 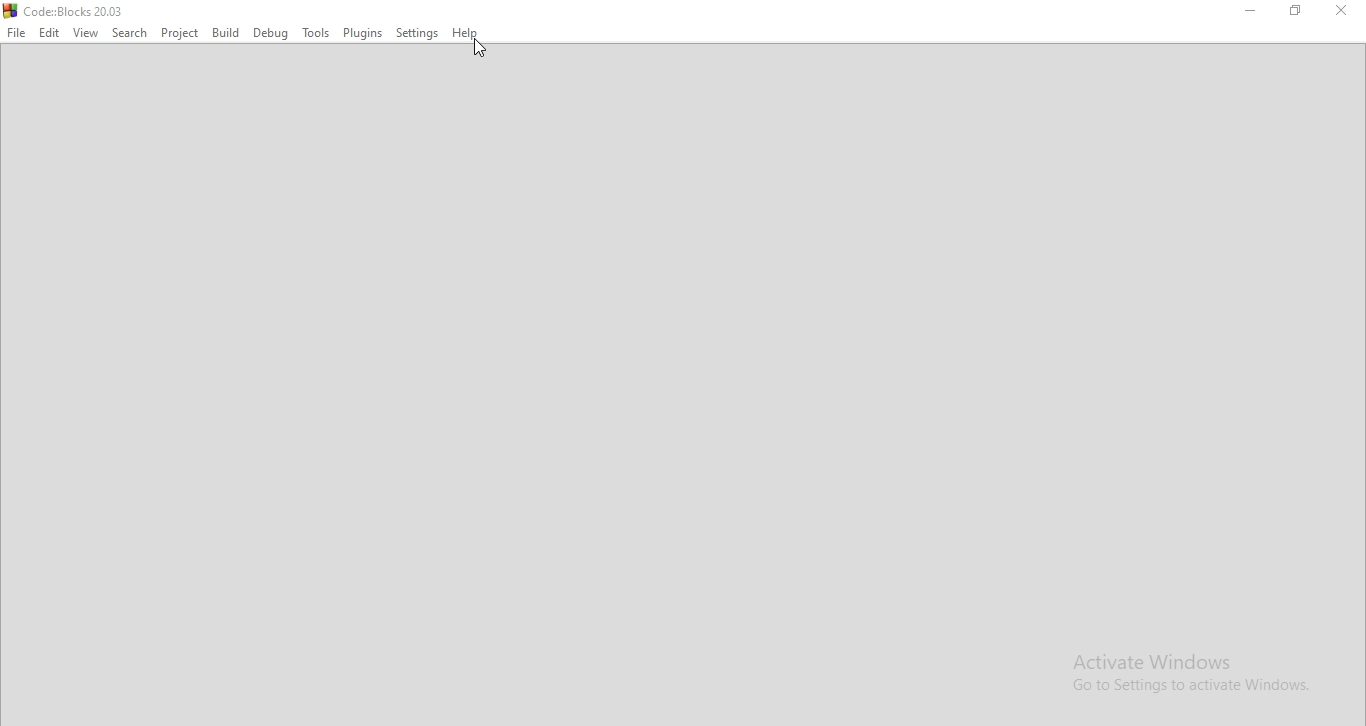 I want to click on Build , so click(x=225, y=33).